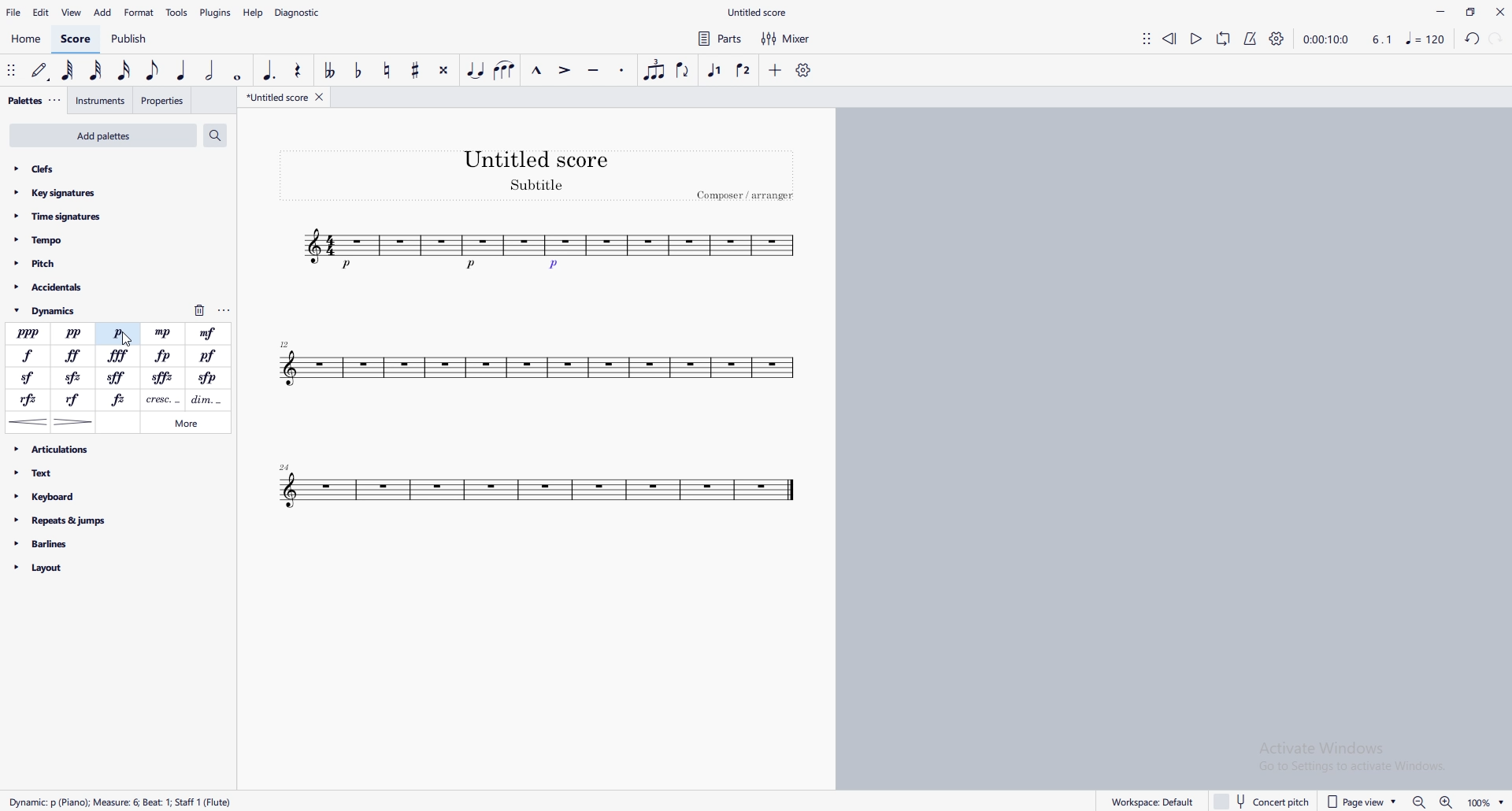 This screenshot has width=1512, height=811. What do you see at coordinates (332, 69) in the screenshot?
I see `toggle double flat` at bounding box center [332, 69].